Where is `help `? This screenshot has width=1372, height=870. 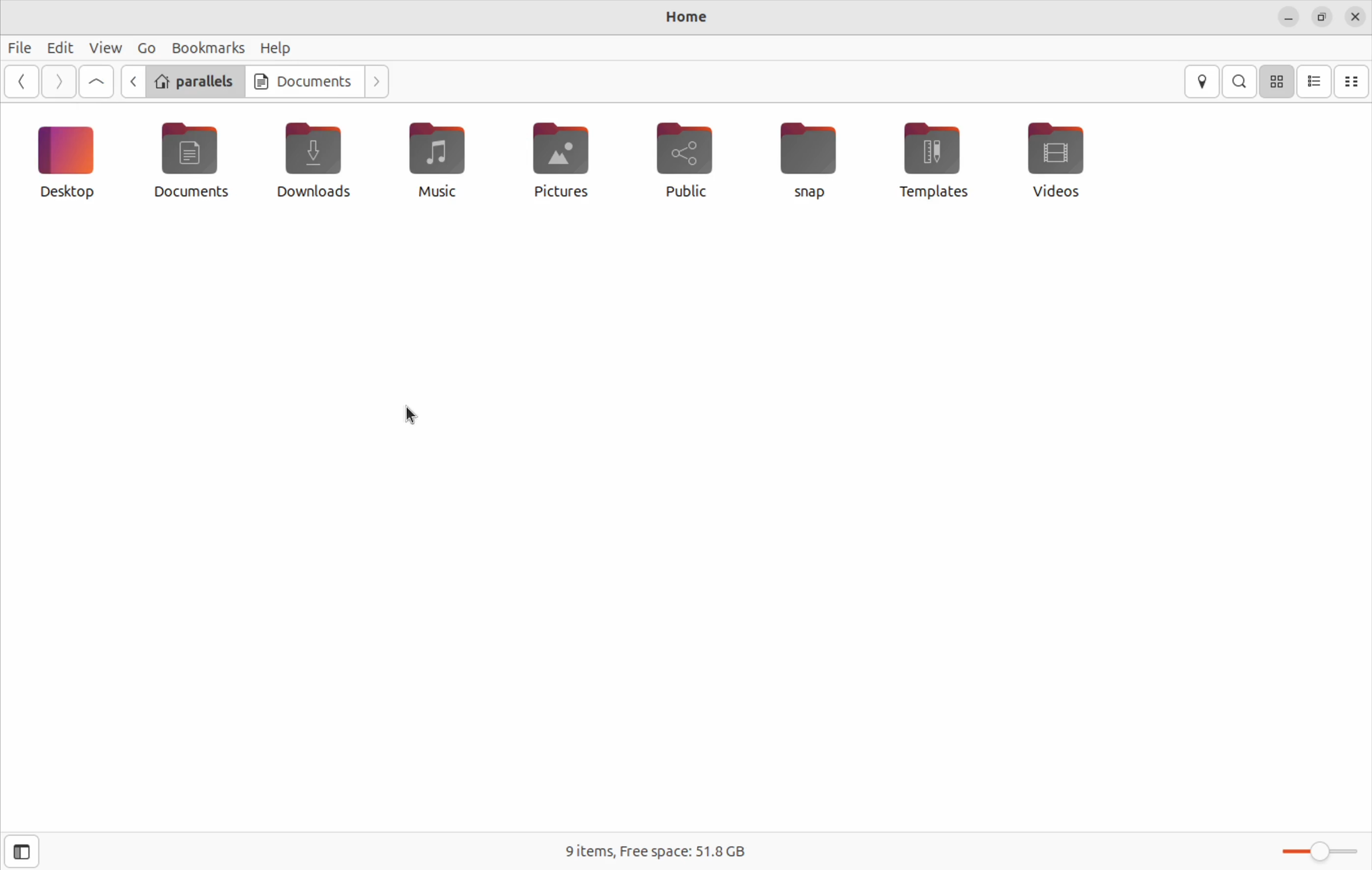
help  is located at coordinates (276, 47).